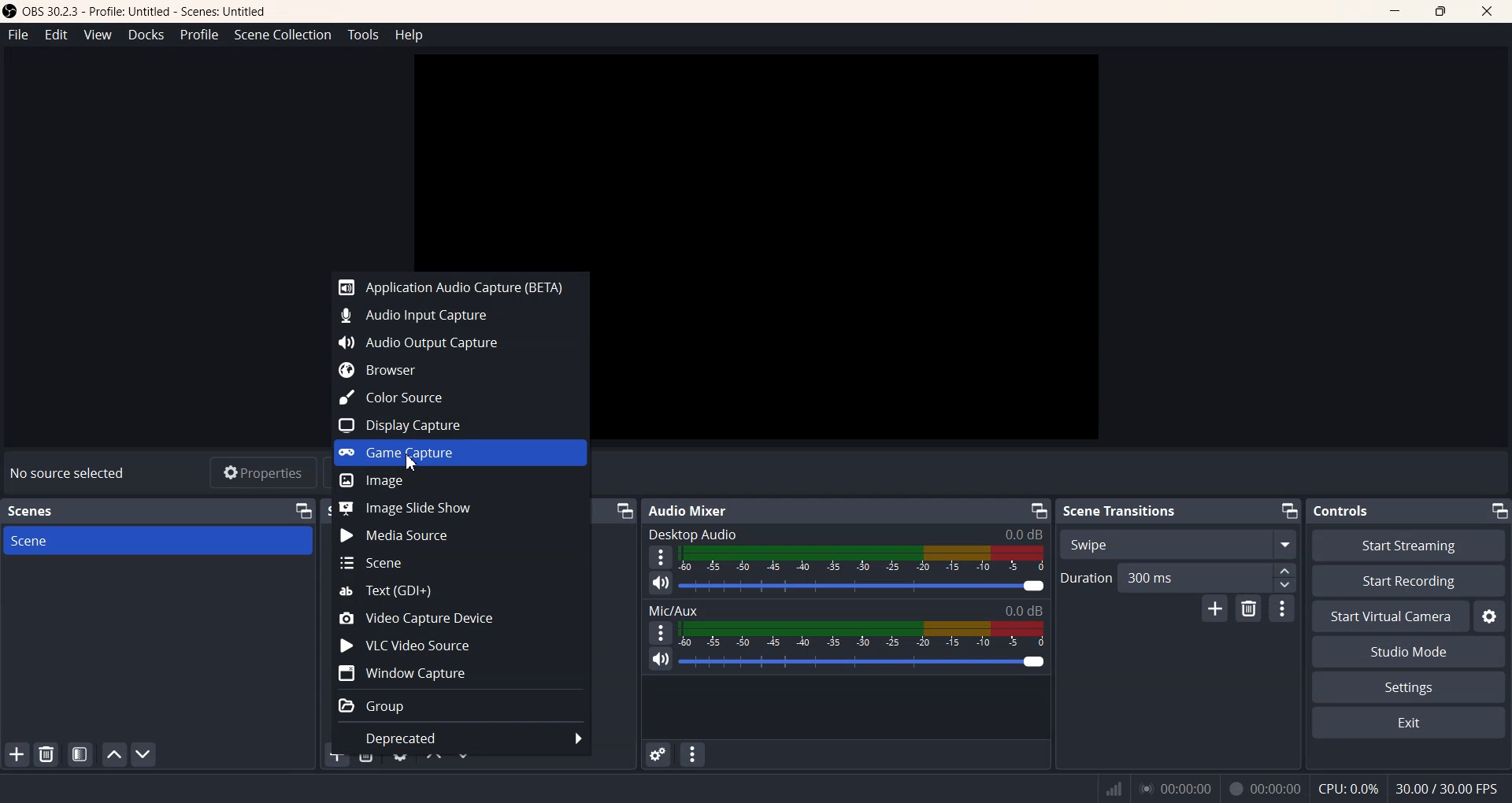 The height and width of the screenshot is (803, 1512). I want to click on Window Capture, so click(461, 671).